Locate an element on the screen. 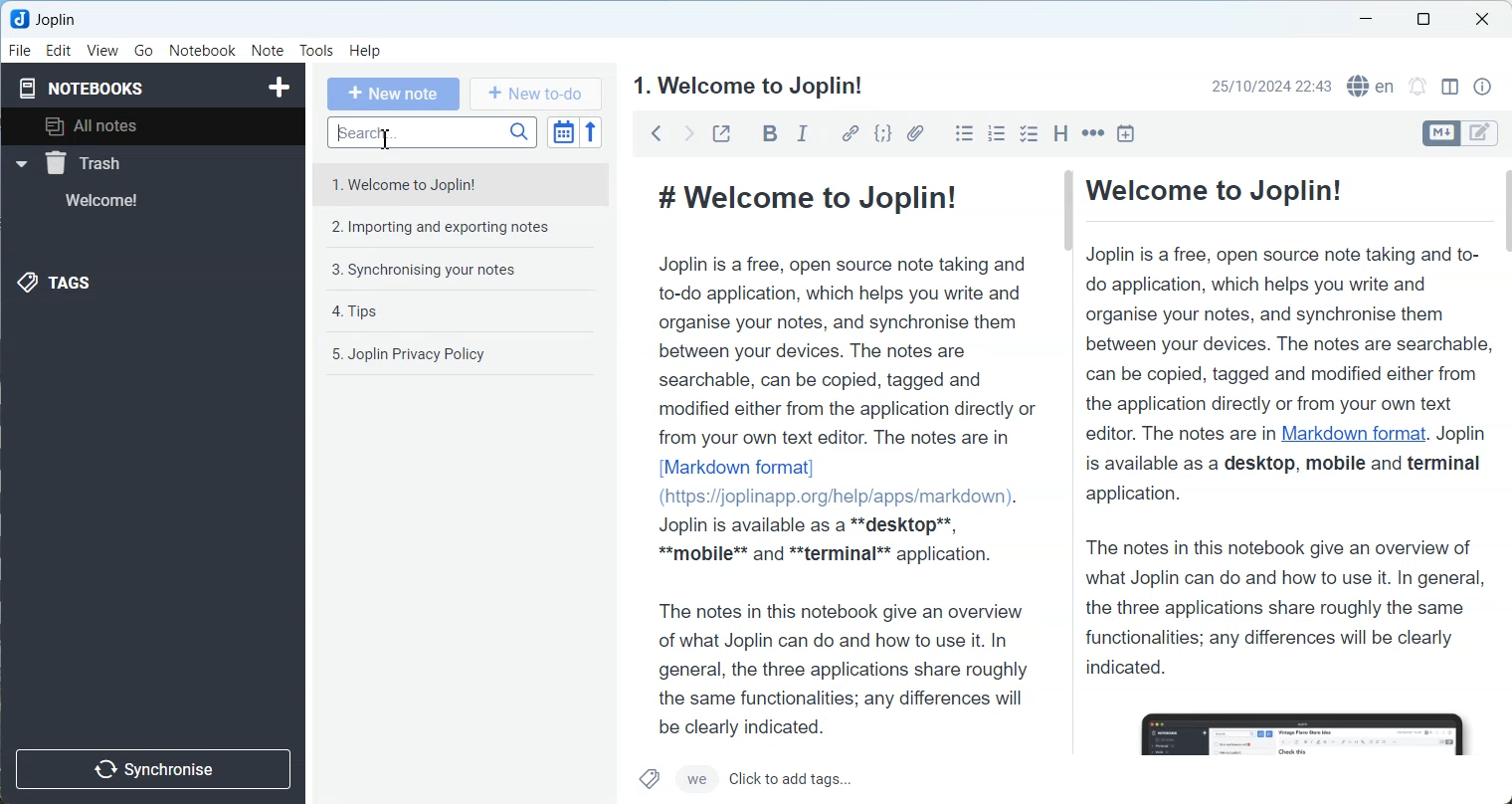 The width and height of the screenshot is (1512, 804). Trash is located at coordinates (128, 162).